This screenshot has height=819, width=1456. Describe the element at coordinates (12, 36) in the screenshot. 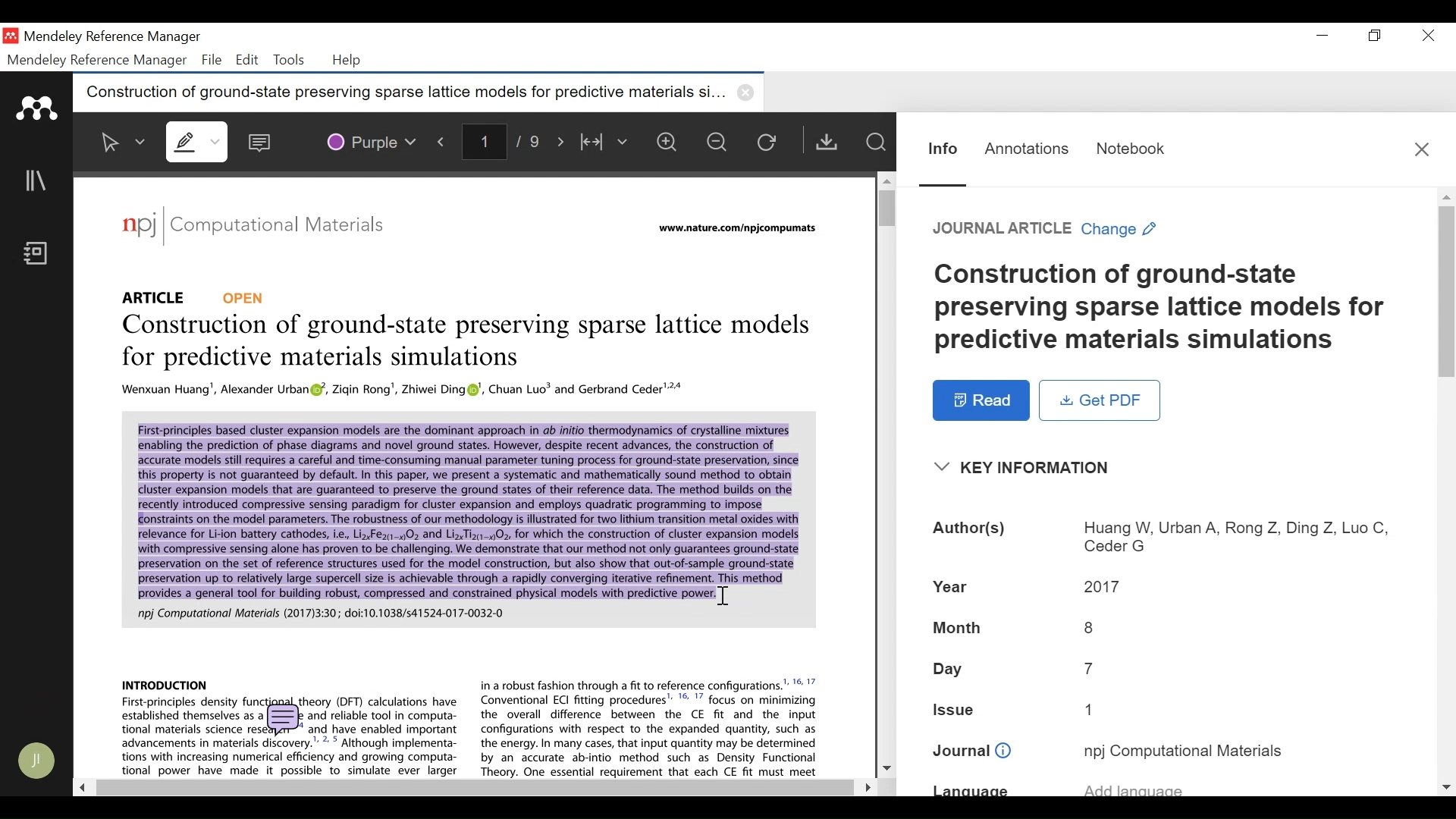

I see `Mendeley Desktop Icon` at that location.